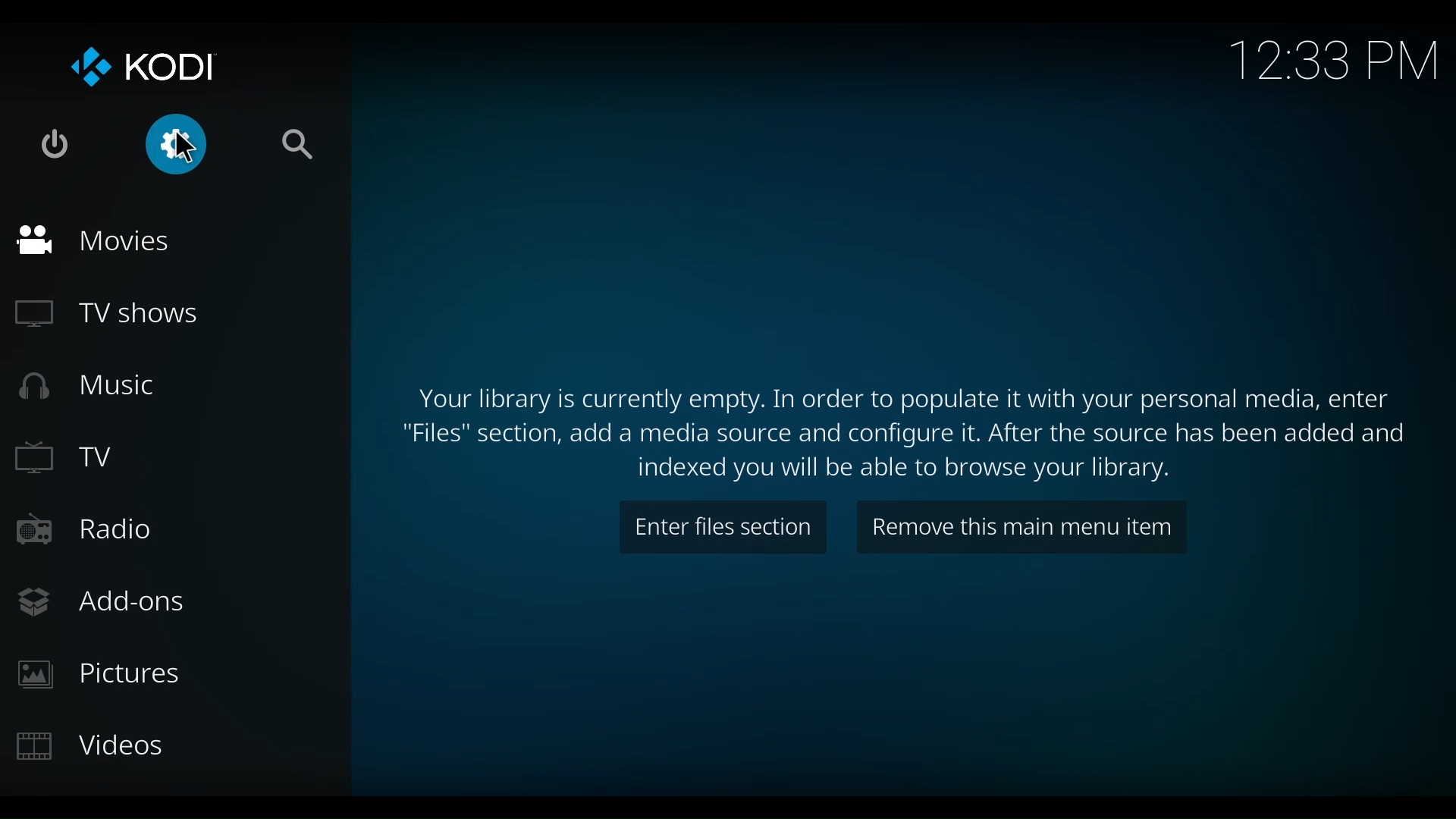 Image resolution: width=1456 pixels, height=819 pixels. What do you see at coordinates (107, 314) in the screenshot?
I see `TV Shows` at bounding box center [107, 314].